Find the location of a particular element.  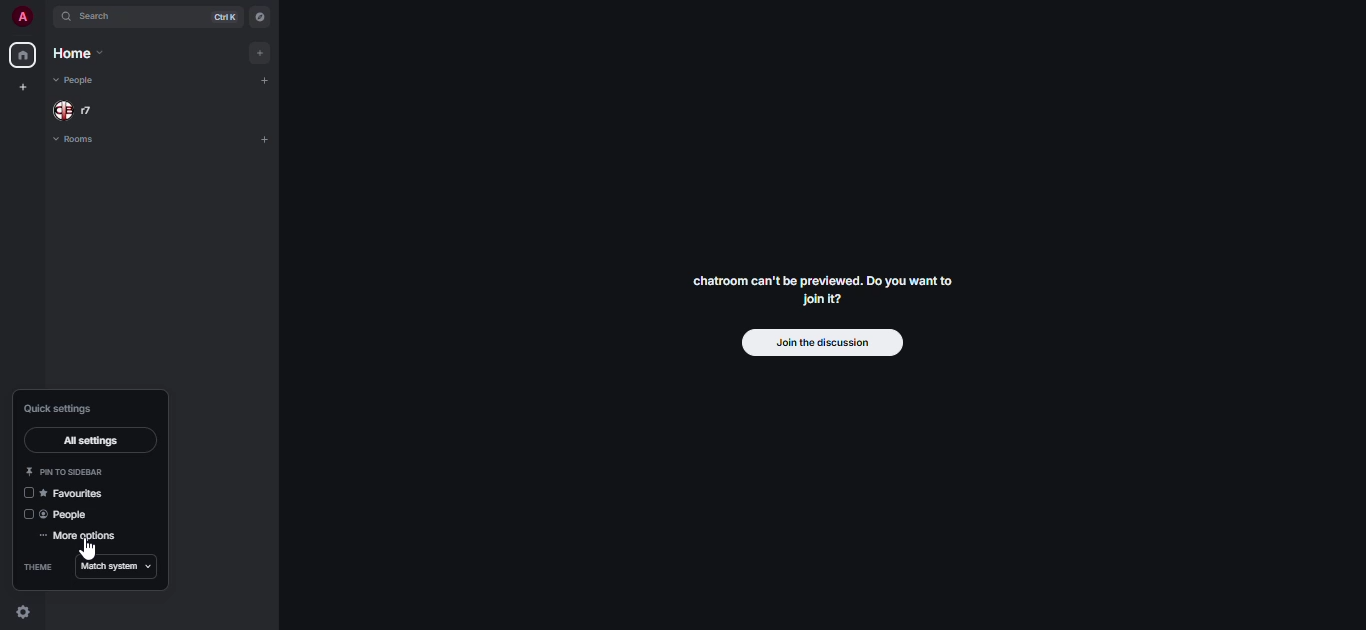

quick settings is located at coordinates (60, 408).